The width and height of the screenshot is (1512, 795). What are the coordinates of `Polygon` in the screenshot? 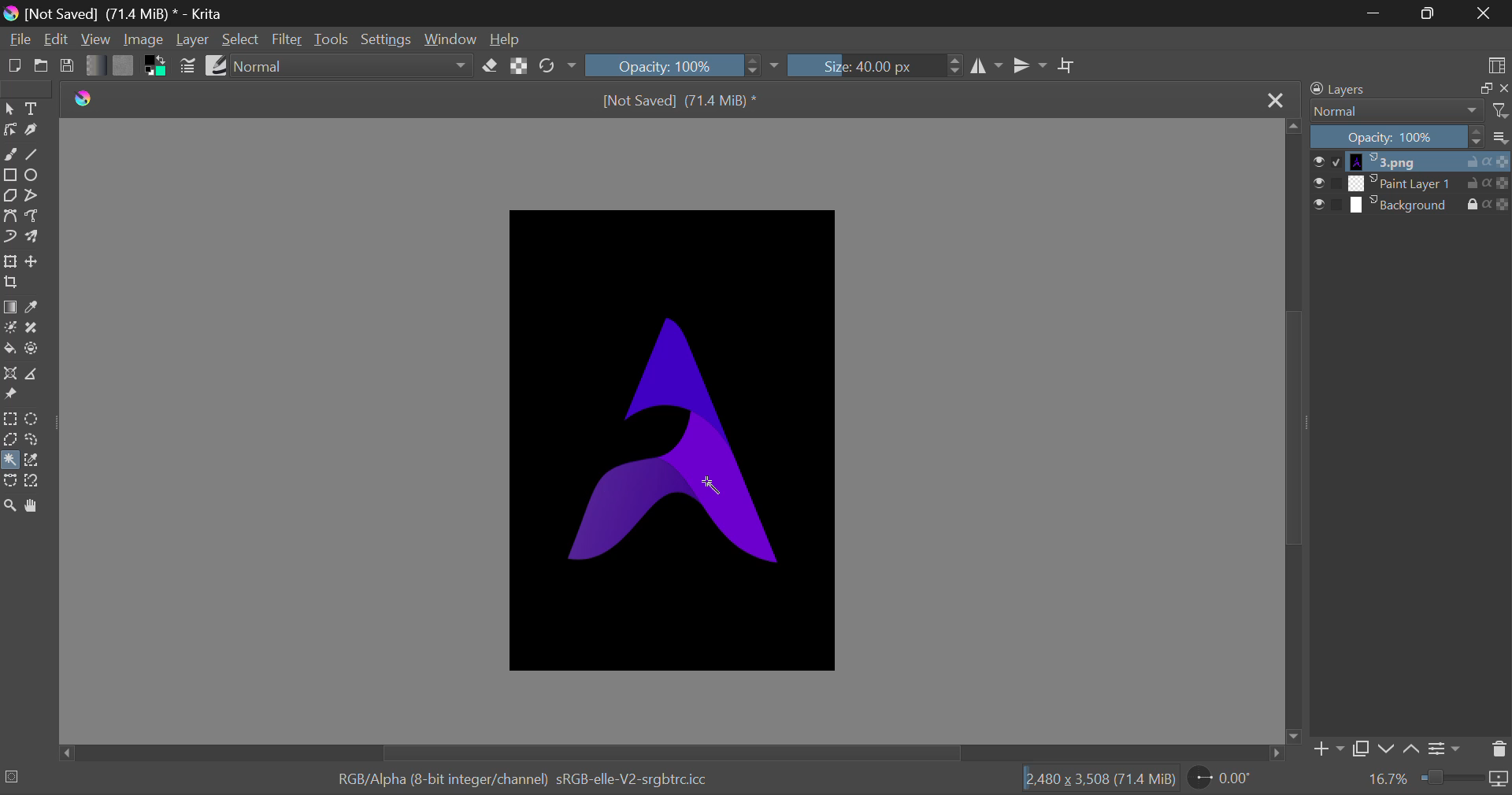 It's located at (11, 198).